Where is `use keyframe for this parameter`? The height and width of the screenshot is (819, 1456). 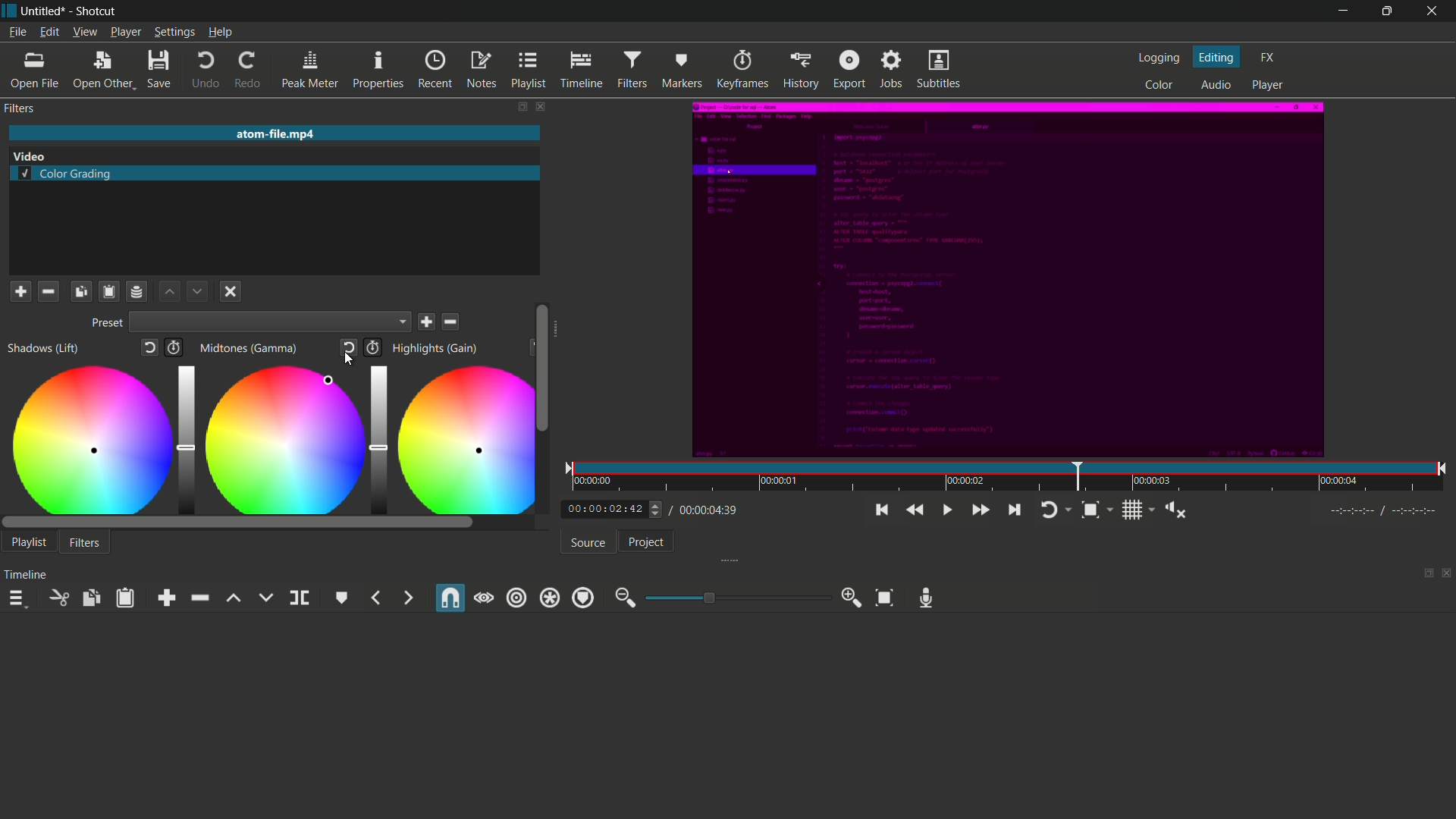
use keyframe for this parameter is located at coordinates (178, 349).